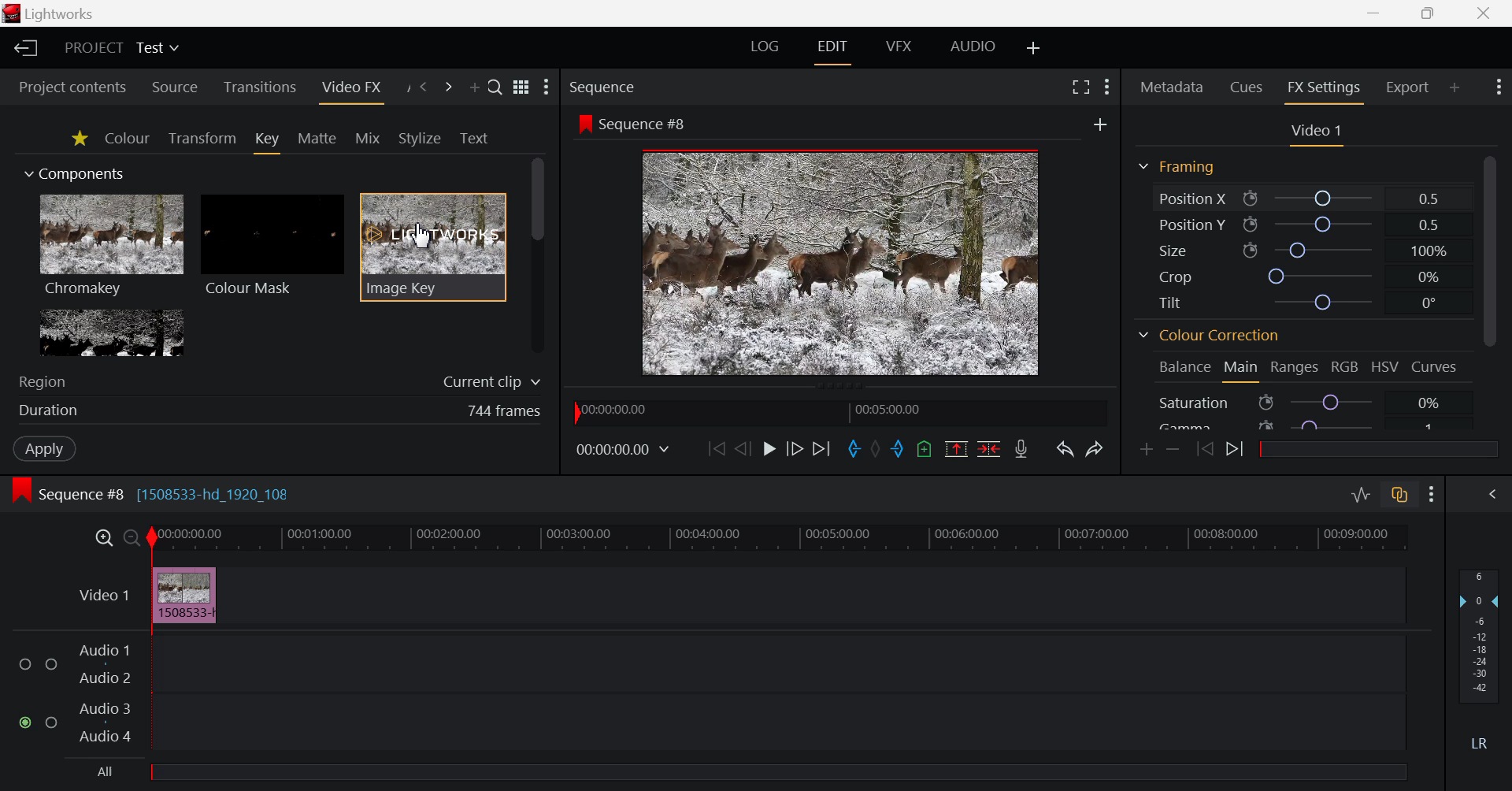  What do you see at coordinates (1241, 368) in the screenshot?
I see `Main` at bounding box center [1241, 368].